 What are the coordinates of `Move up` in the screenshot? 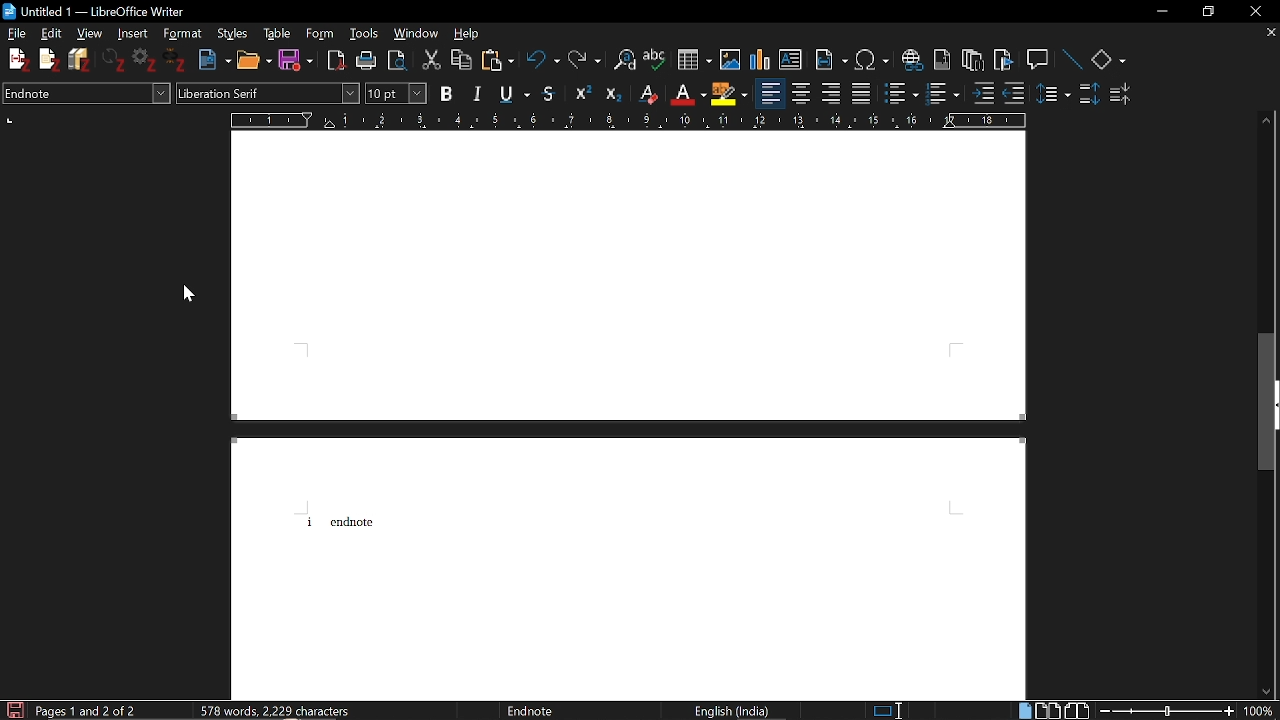 It's located at (1266, 122).